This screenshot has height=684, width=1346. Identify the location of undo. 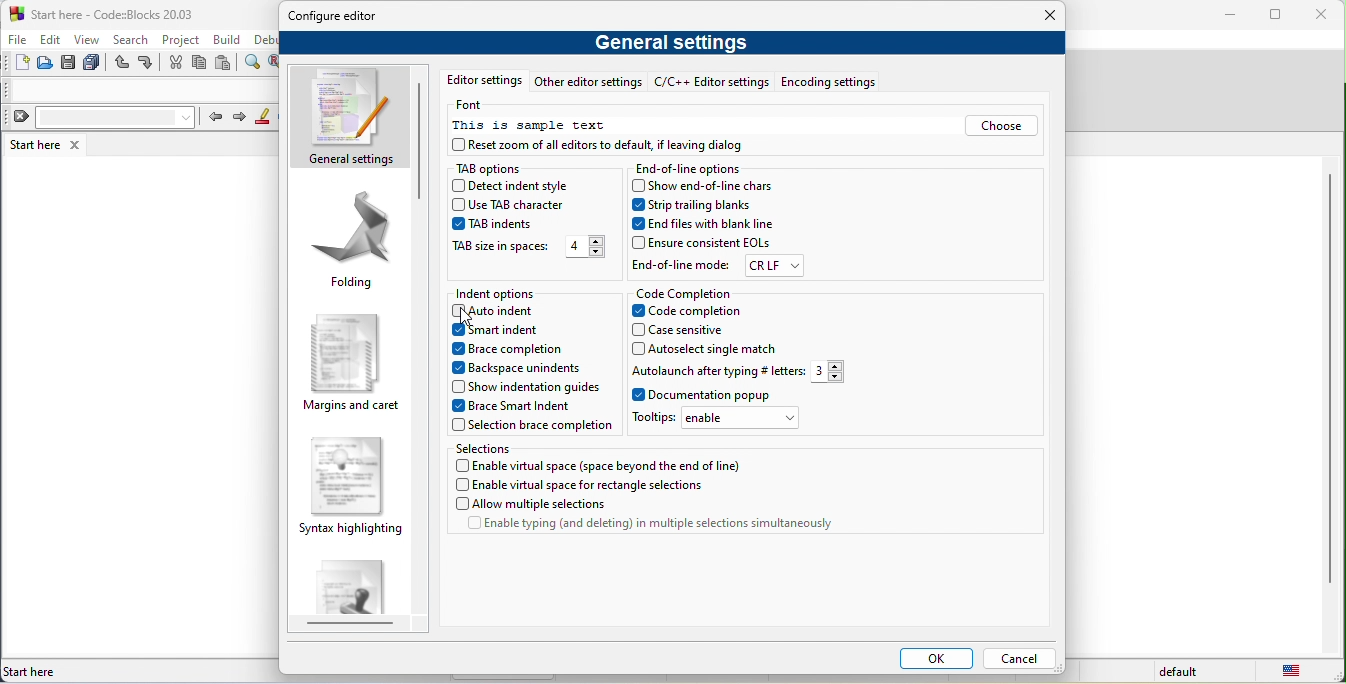
(122, 67).